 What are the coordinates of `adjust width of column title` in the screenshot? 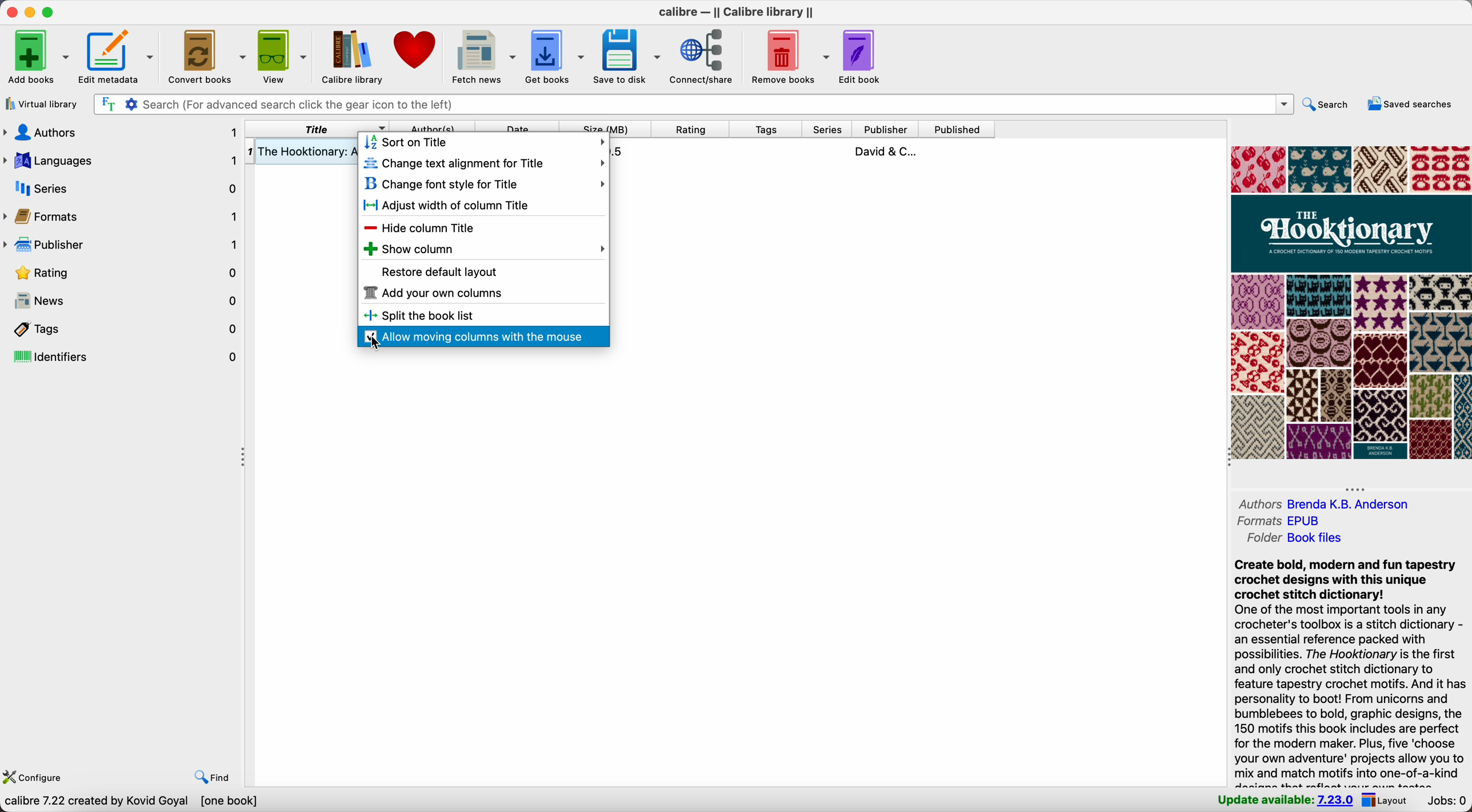 It's located at (453, 205).